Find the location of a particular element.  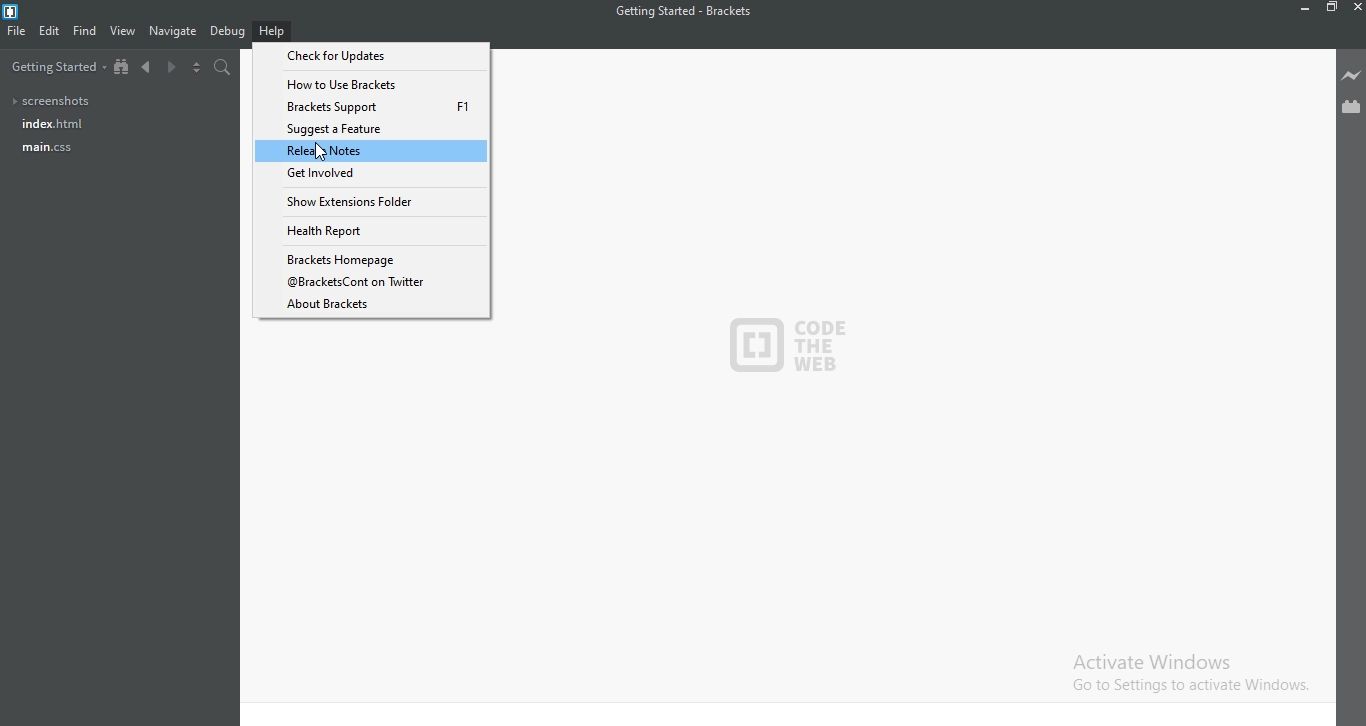

Find in files is located at coordinates (223, 68).